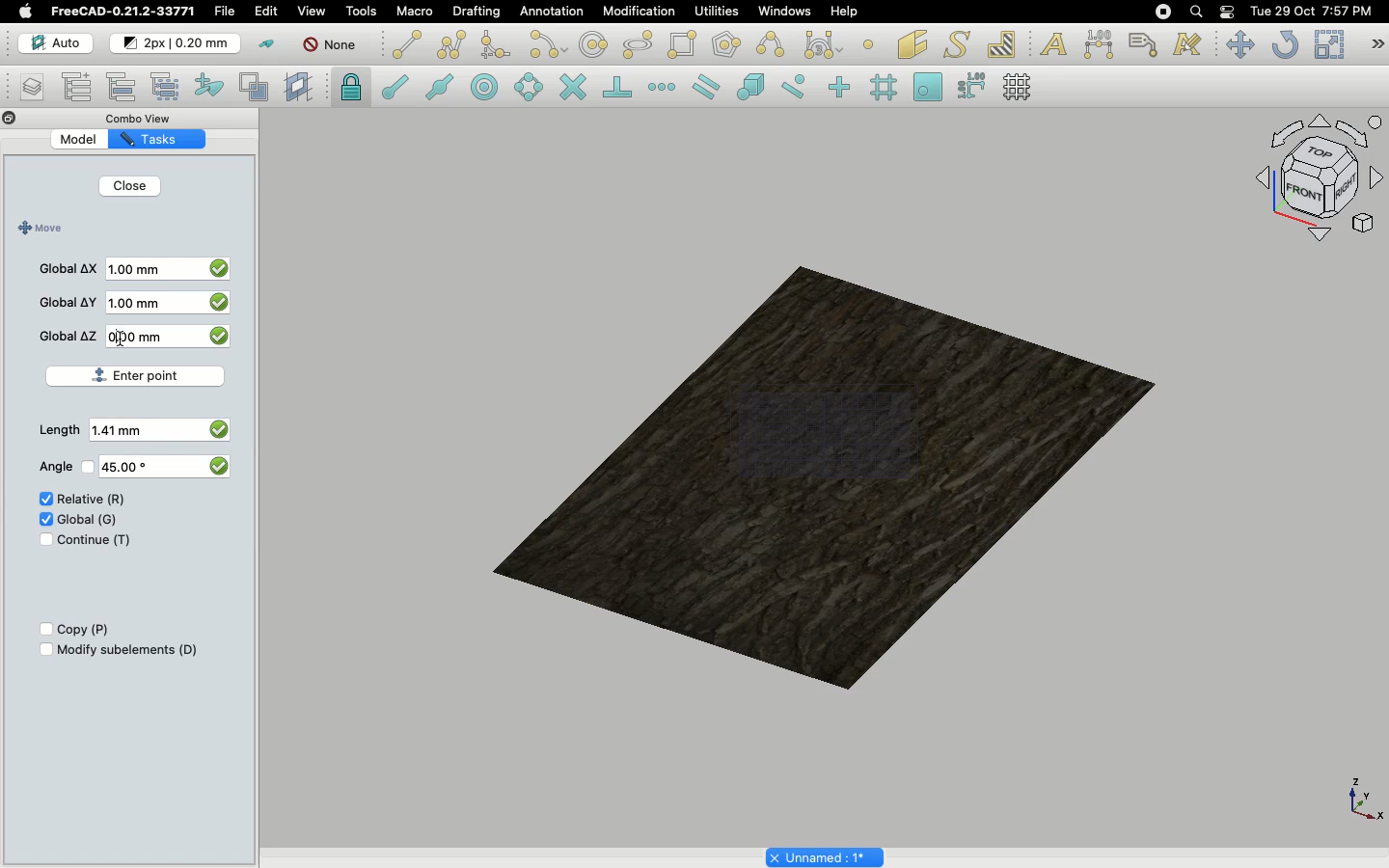 The height and width of the screenshot is (868, 1389). What do you see at coordinates (267, 44) in the screenshot?
I see `Toggle construction mode` at bounding box center [267, 44].